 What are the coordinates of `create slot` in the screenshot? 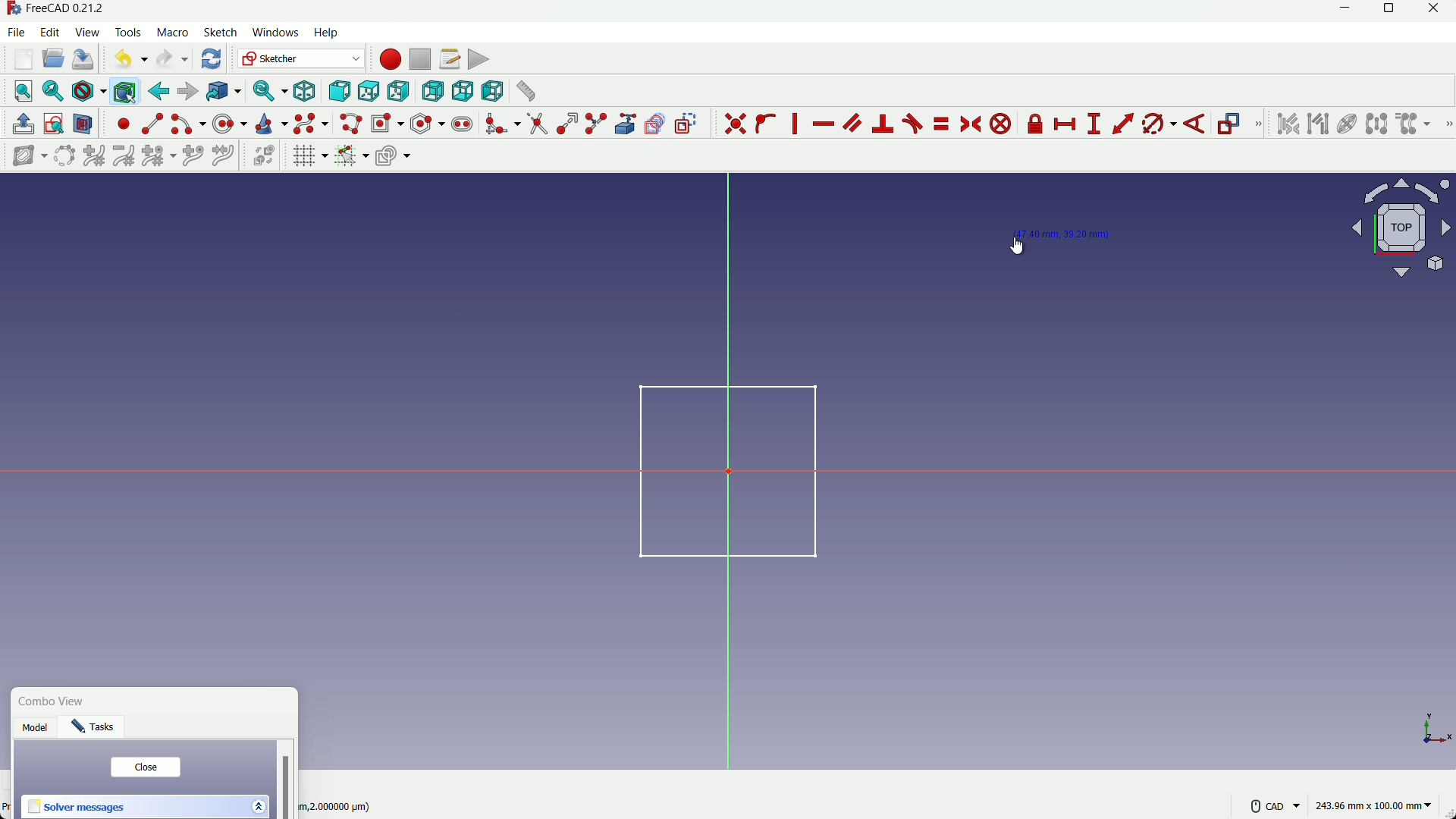 It's located at (462, 124).